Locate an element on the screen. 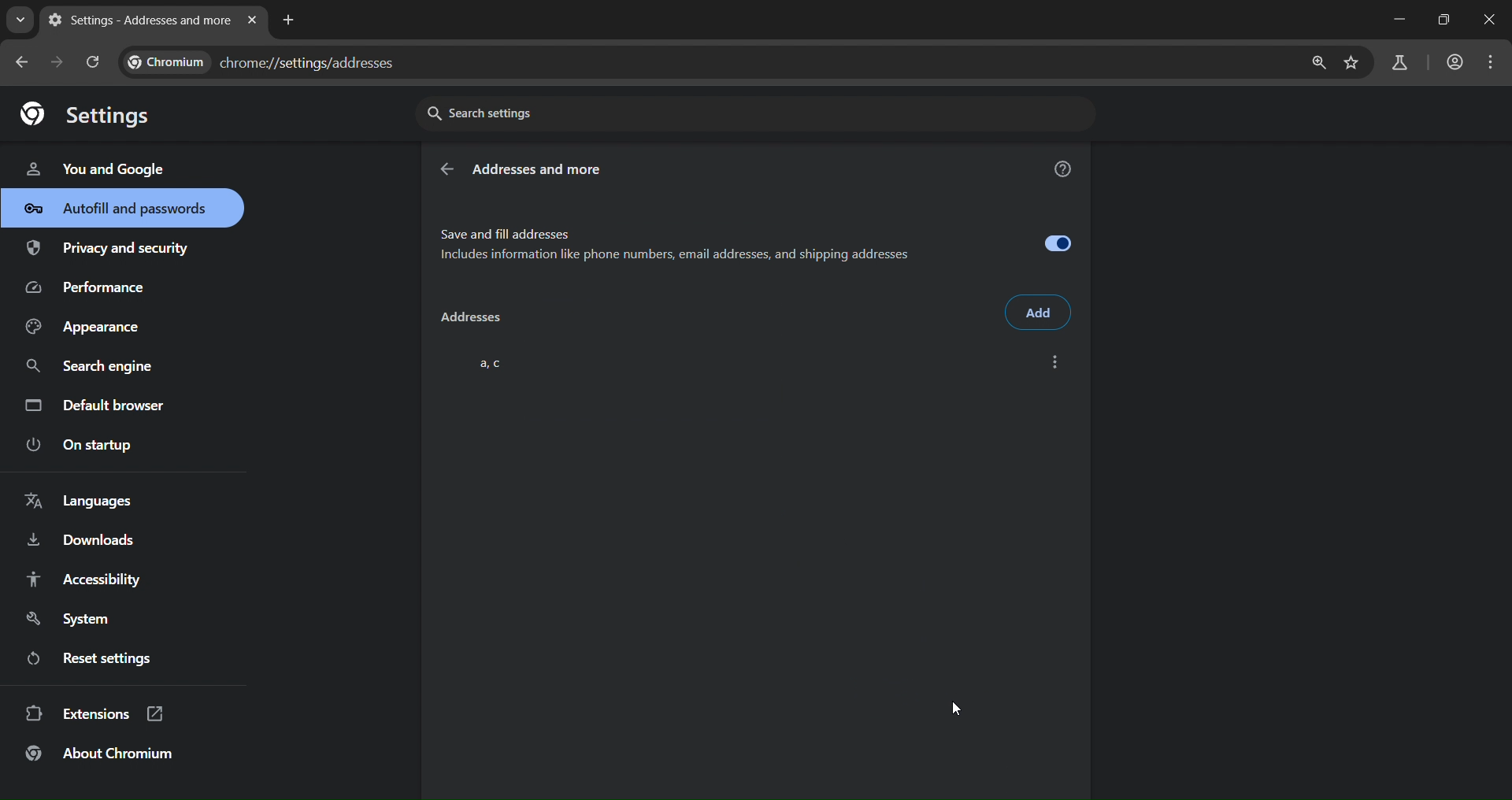 The height and width of the screenshot is (800, 1512). account is located at coordinates (1452, 64).